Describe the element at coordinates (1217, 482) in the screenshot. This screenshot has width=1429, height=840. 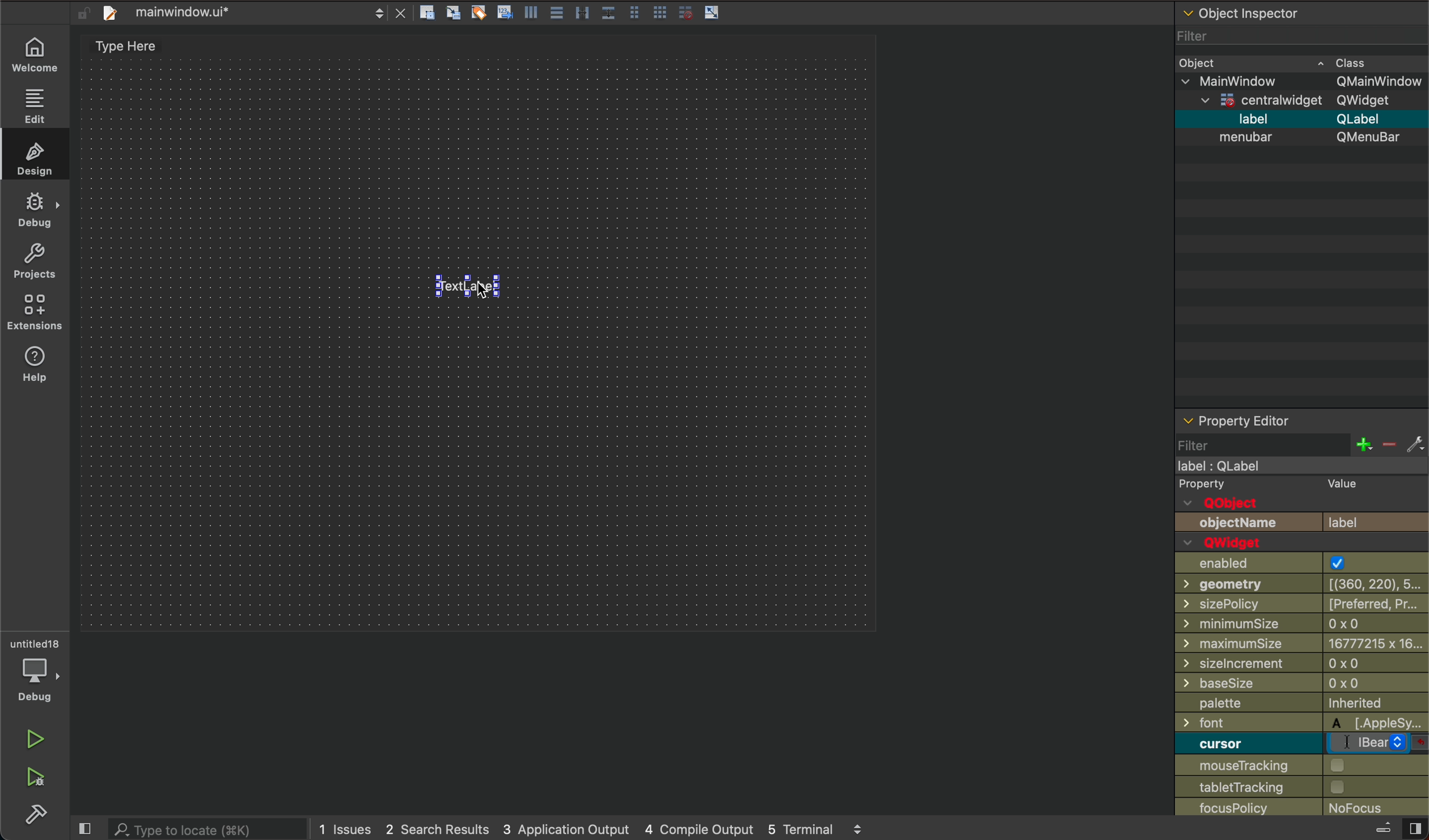
I see `Property` at that location.